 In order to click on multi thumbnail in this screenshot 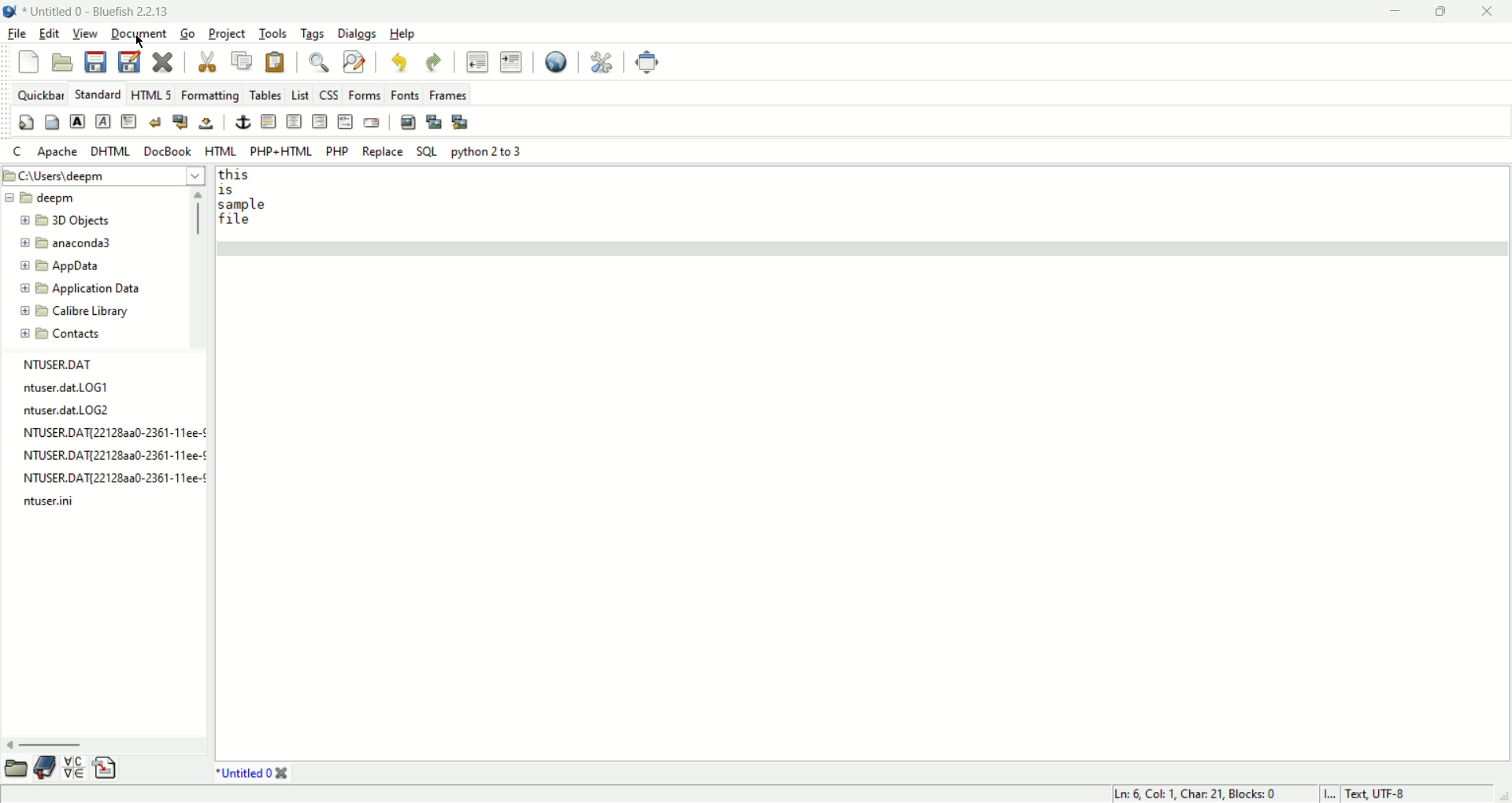, I will do `click(460, 121)`.